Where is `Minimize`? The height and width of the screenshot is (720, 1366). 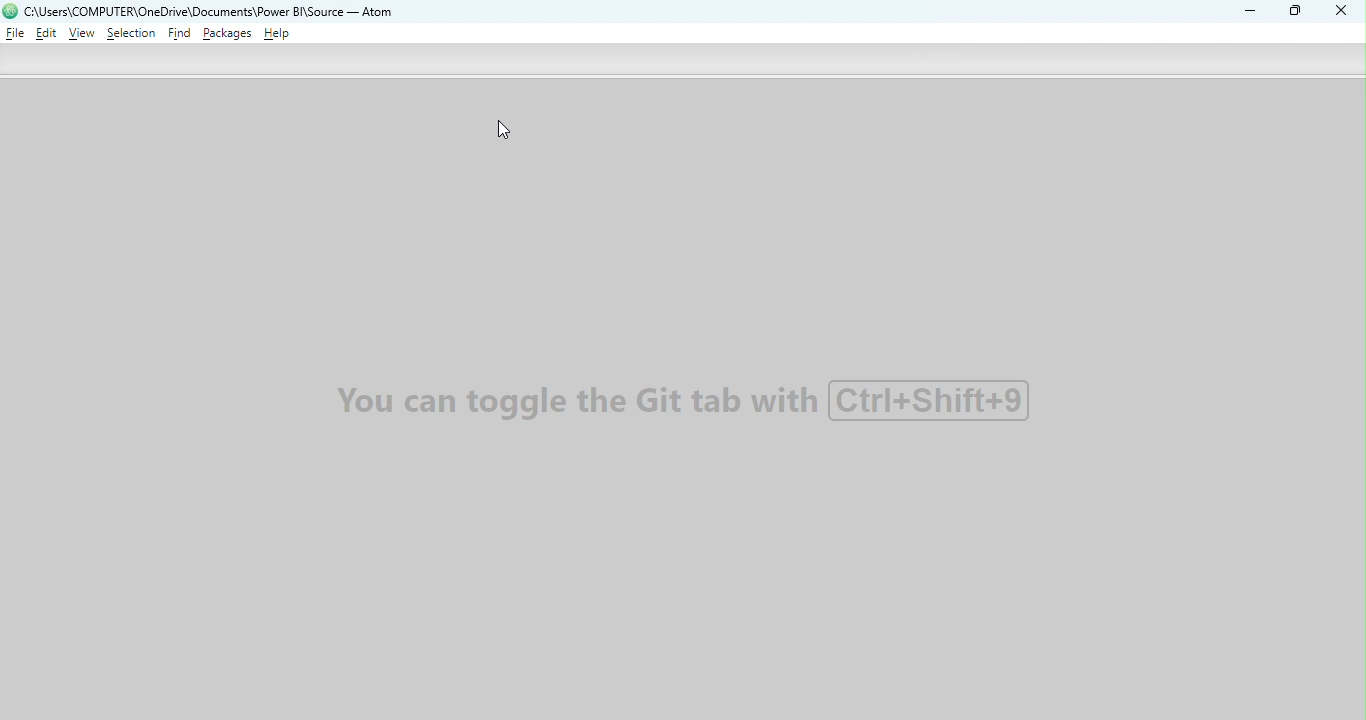
Minimize is located at coordinates (1246, 10).